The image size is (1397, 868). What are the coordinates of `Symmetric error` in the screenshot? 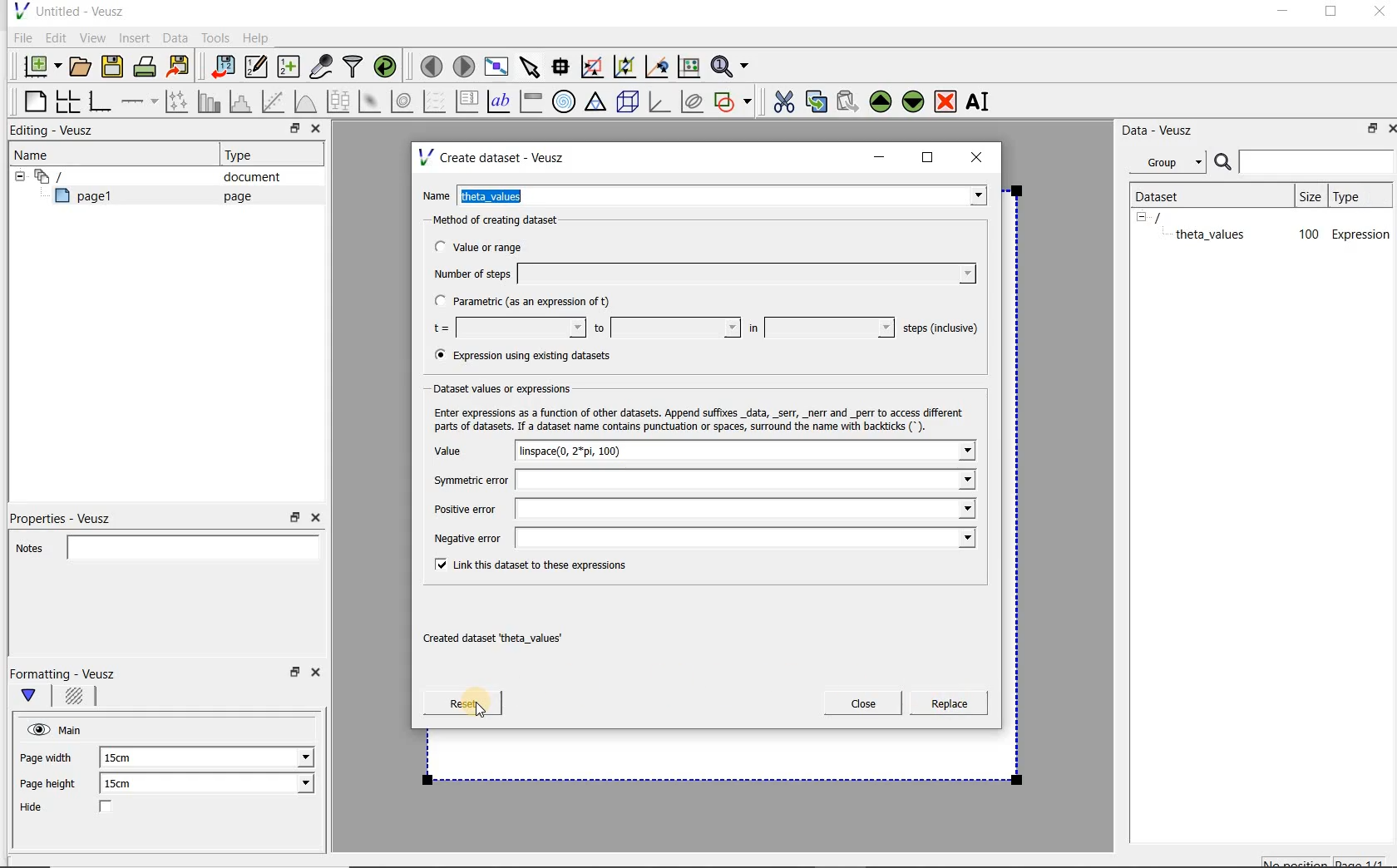 It's located at (698, 480).